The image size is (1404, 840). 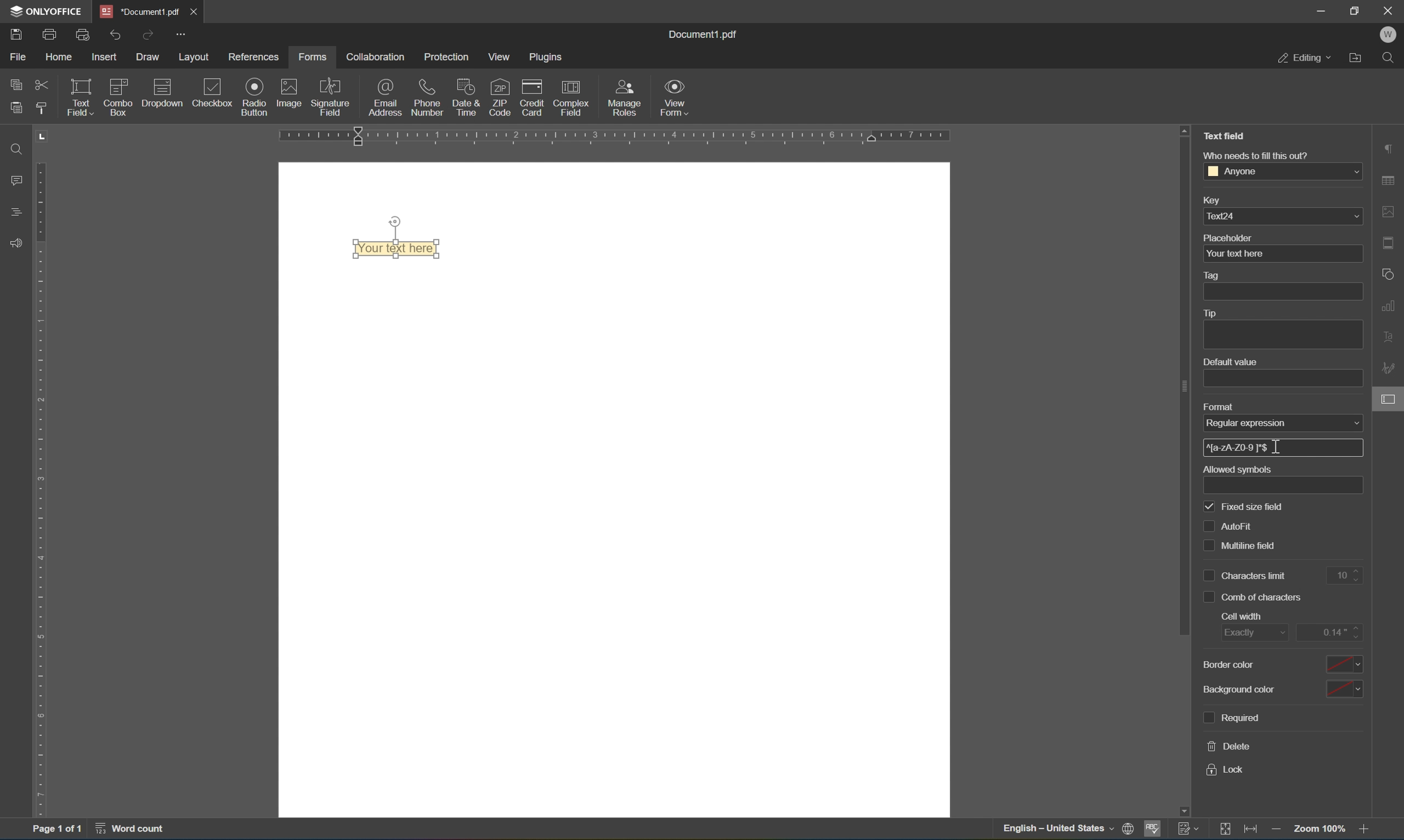 I want to click on anyone, so click(x=1283, y=170).